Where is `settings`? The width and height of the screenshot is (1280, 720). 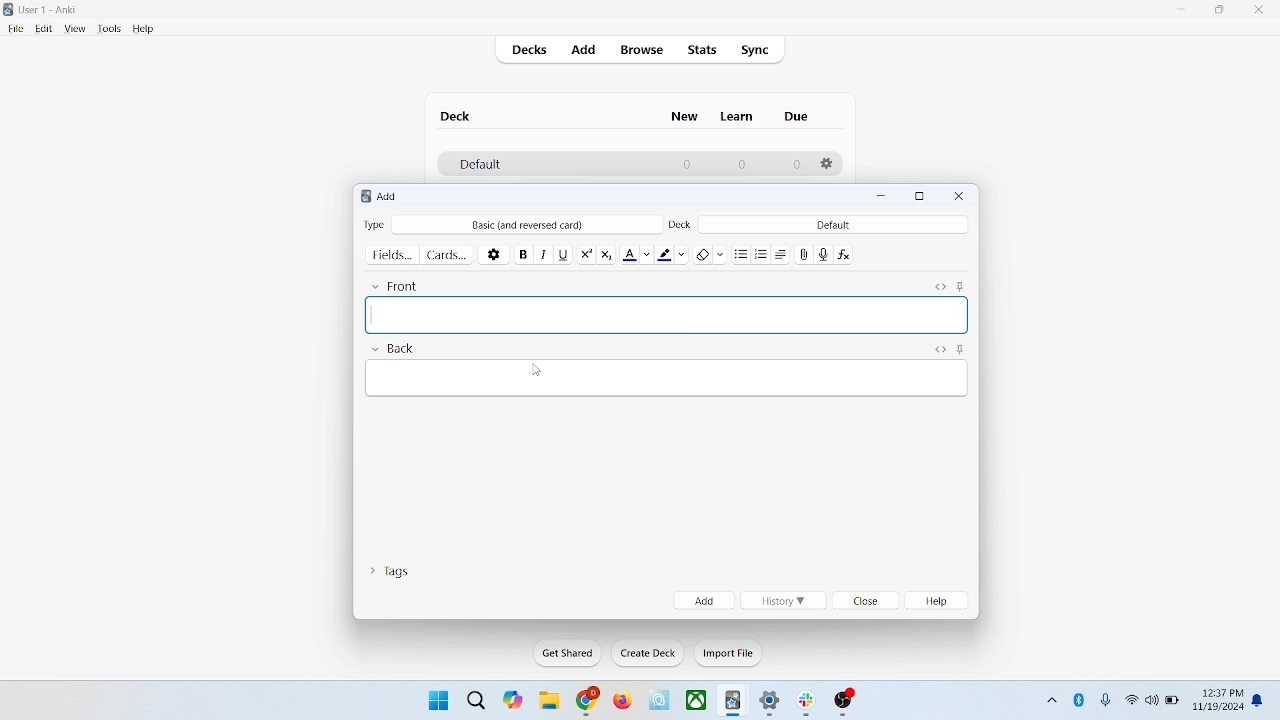
settings is located at coordinates (771, 704).